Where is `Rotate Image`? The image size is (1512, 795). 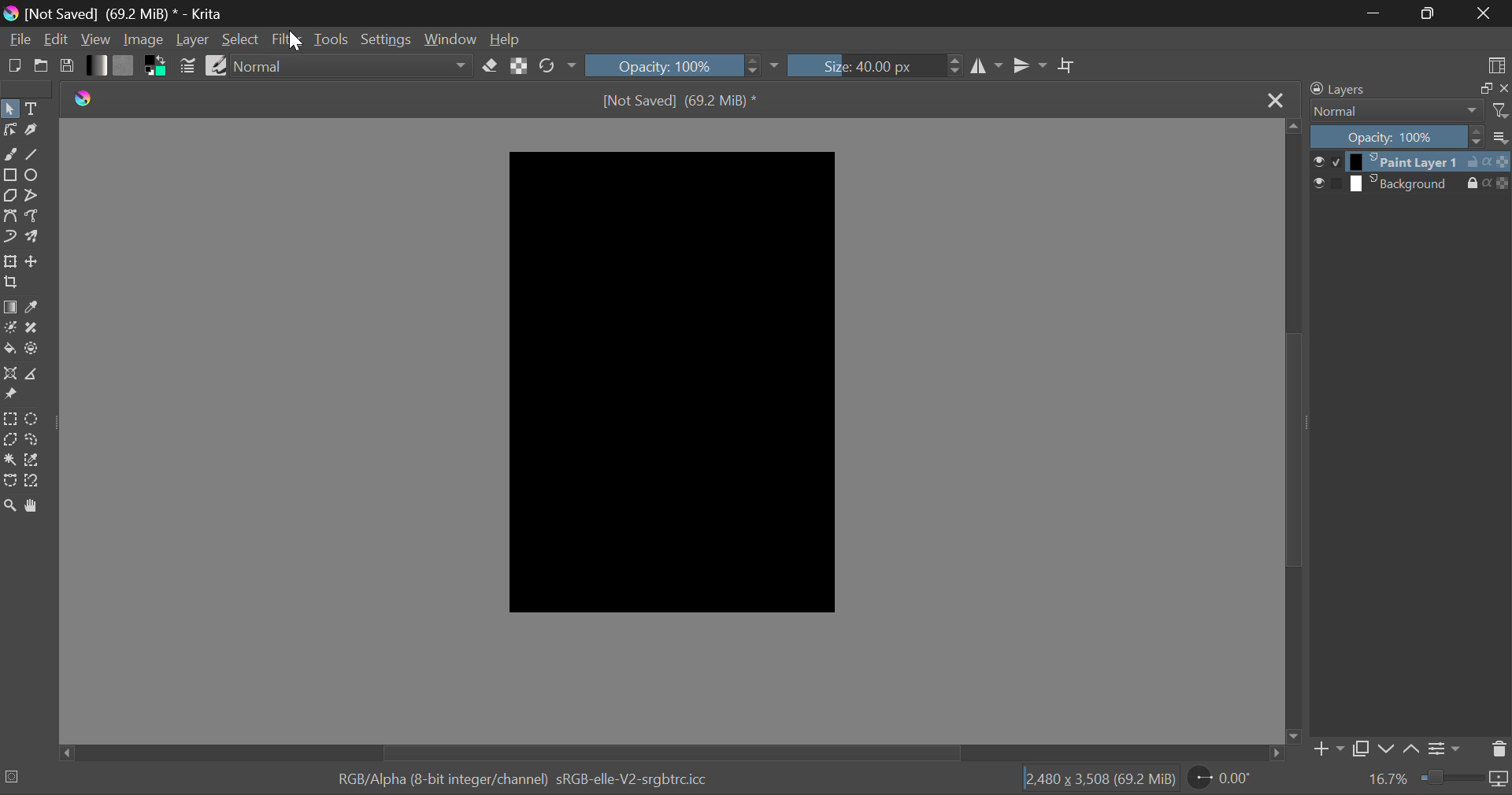 Rotate Image is located at coordinates (556, 66).